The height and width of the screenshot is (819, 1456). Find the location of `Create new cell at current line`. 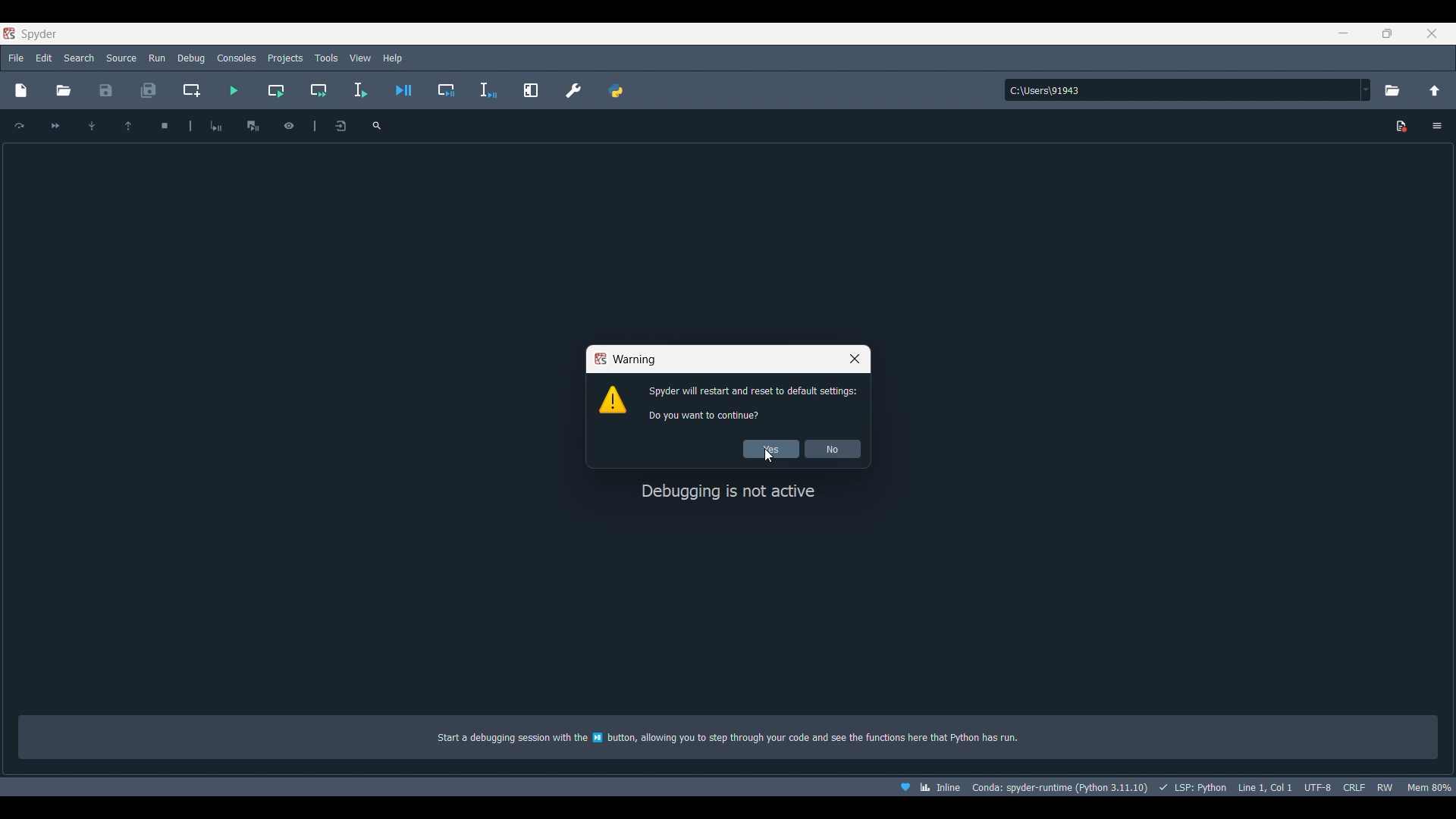

Create new cell at current line is located at coordinates (190, 90).